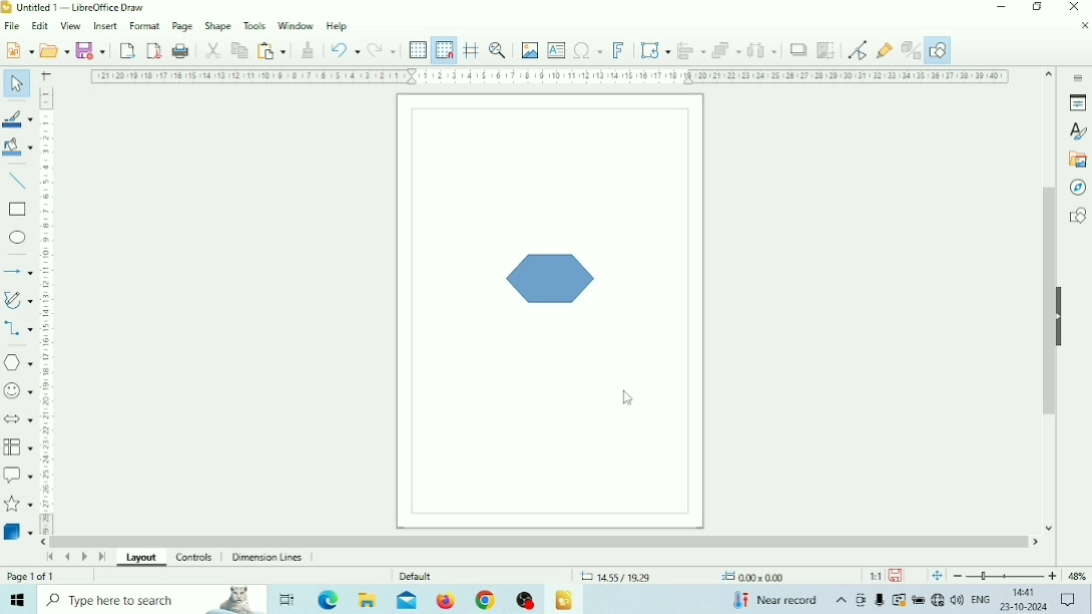  Describe the element at coordinates (917, 600) in the screenshot. I see `Charging, plugged in` at that location.